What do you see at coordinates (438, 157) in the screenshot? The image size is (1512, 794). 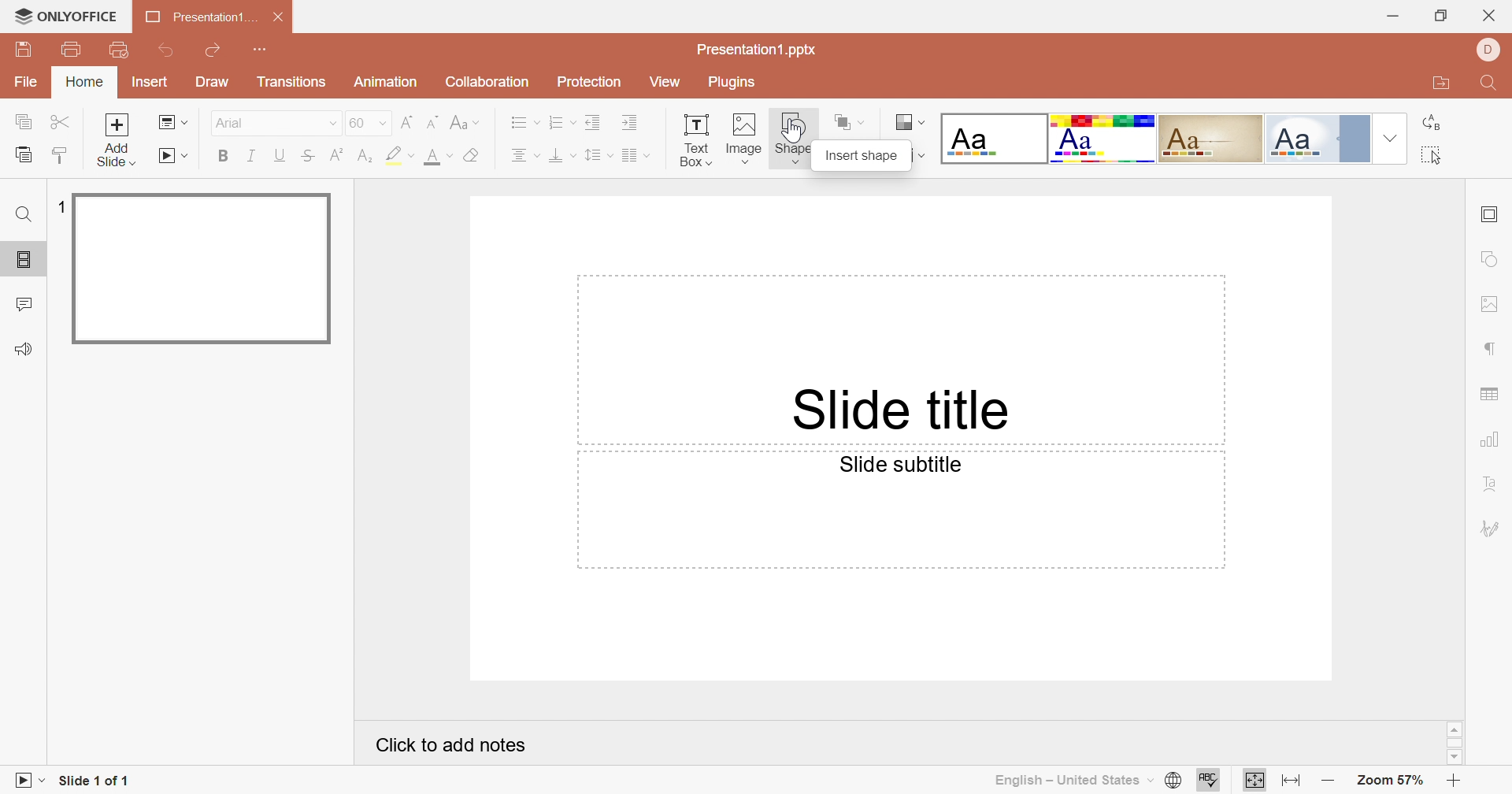 I see `Font color` at bounding box center [438, 157].